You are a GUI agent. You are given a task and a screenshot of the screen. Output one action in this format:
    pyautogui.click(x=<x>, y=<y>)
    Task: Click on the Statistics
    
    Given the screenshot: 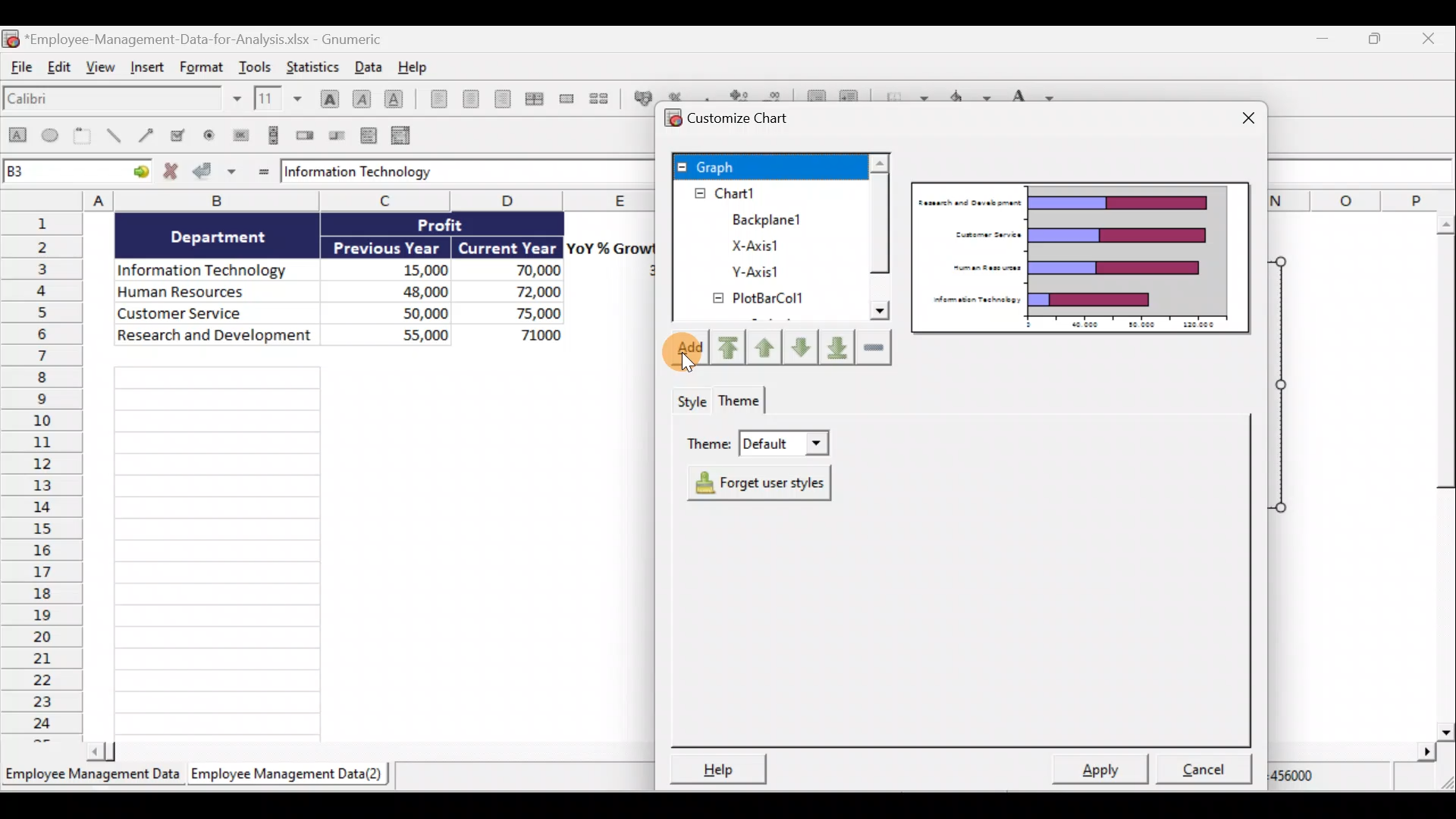 What is the action you would take?
    pyautogui.click(x=317, y=66)
    